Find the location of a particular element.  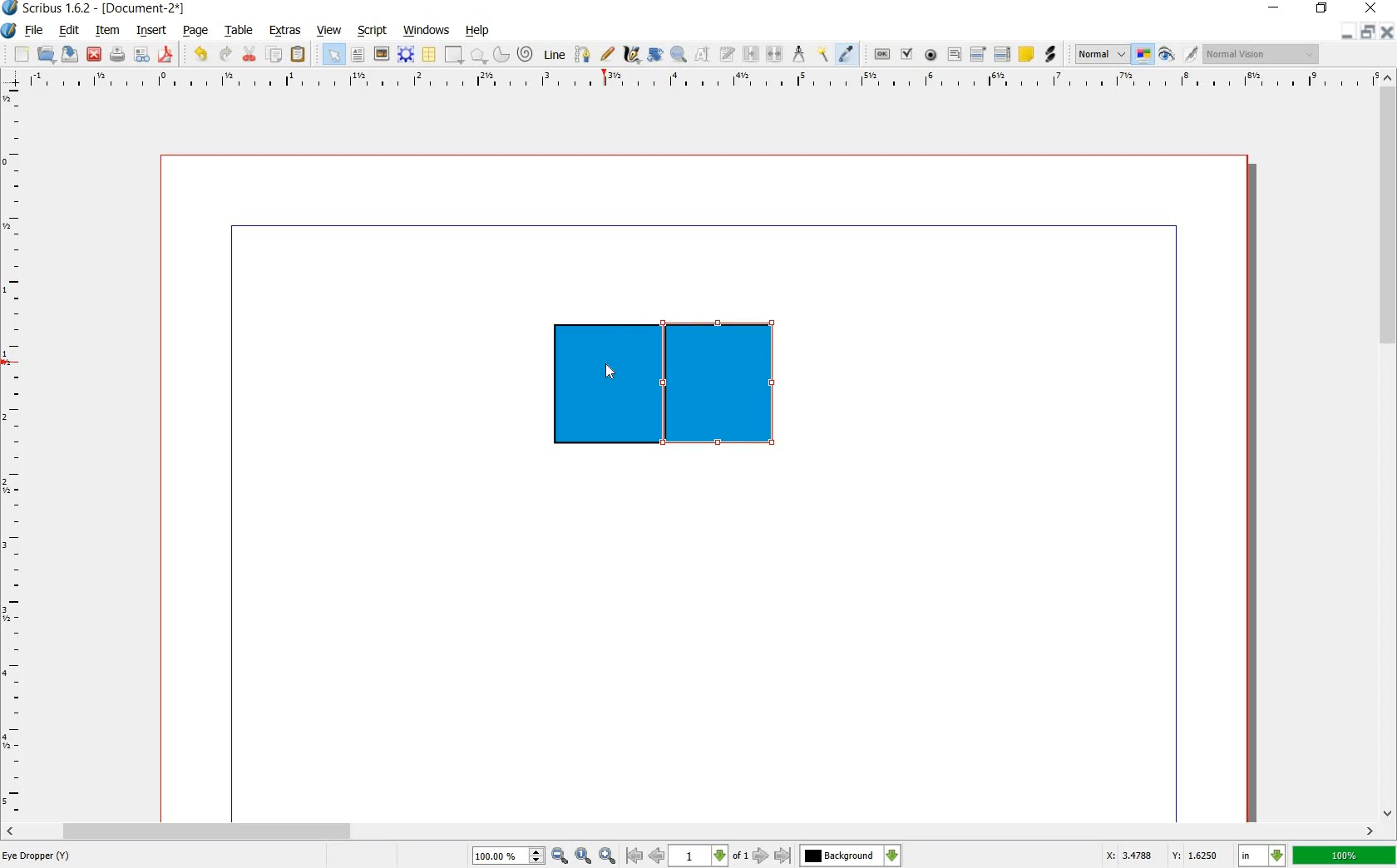

new is located at coordinates (21, 55).